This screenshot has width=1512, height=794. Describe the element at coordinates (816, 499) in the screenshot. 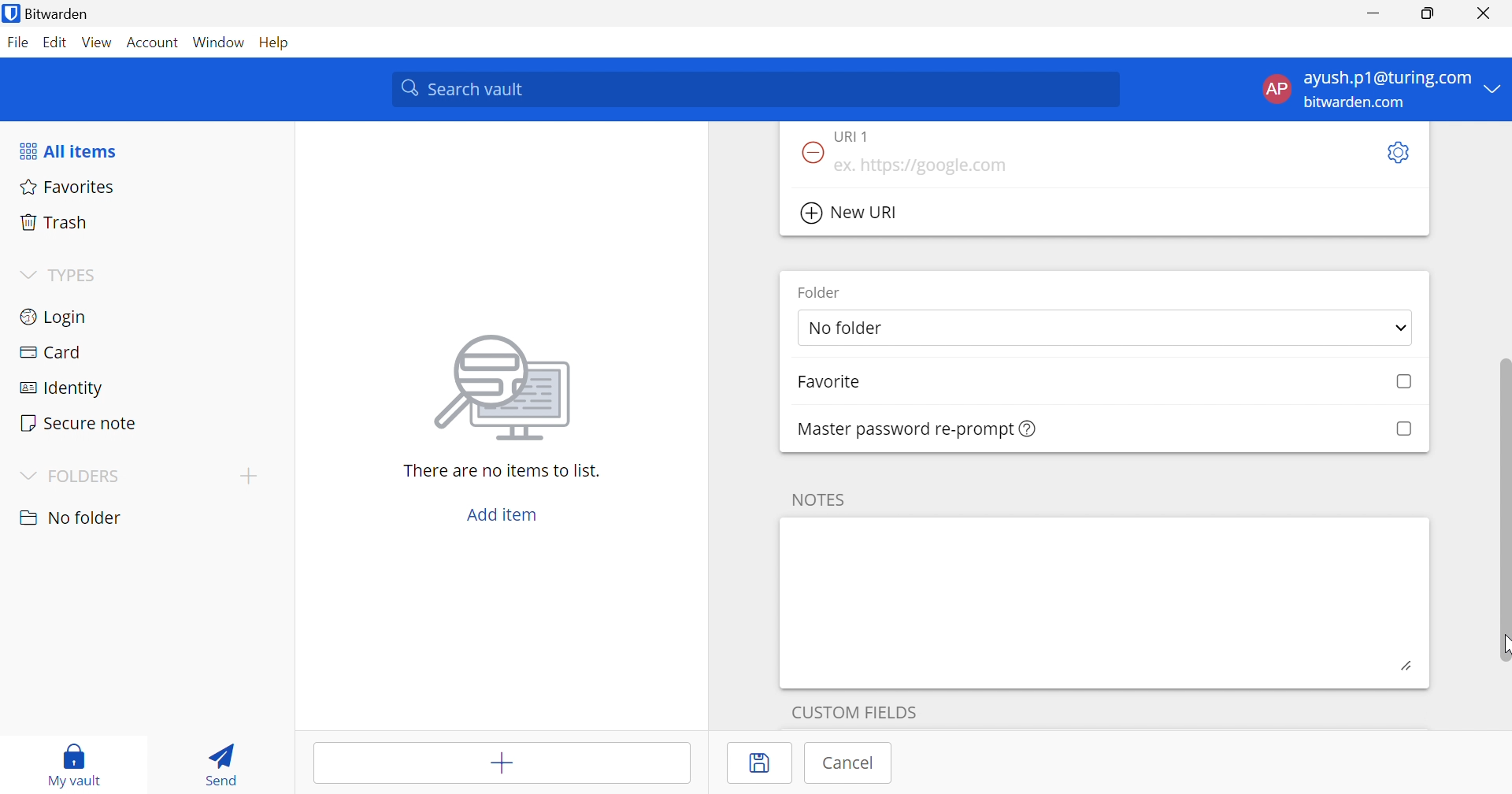

I see `NOTES` at that location.